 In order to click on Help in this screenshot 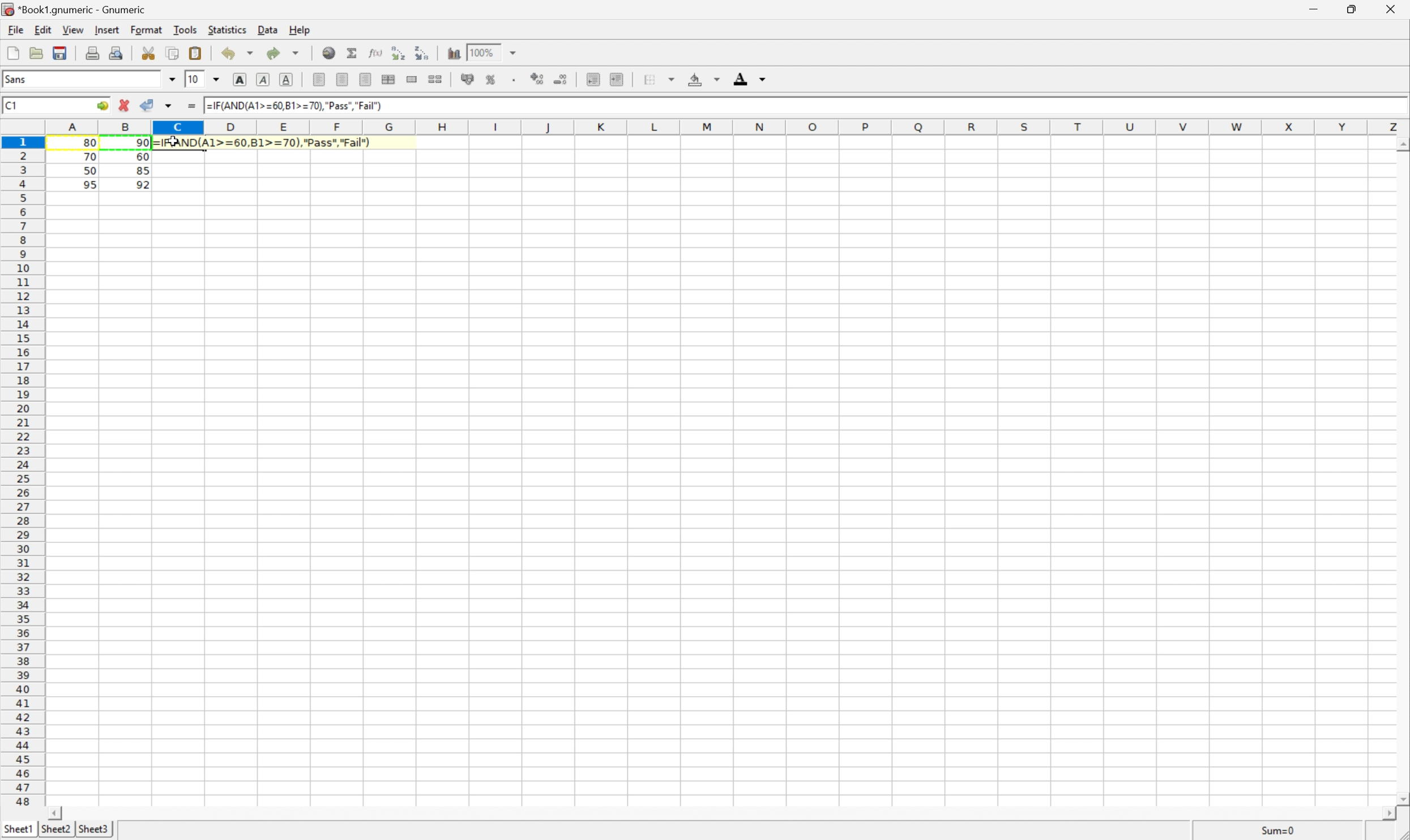, I will do `click(300, 31)`.